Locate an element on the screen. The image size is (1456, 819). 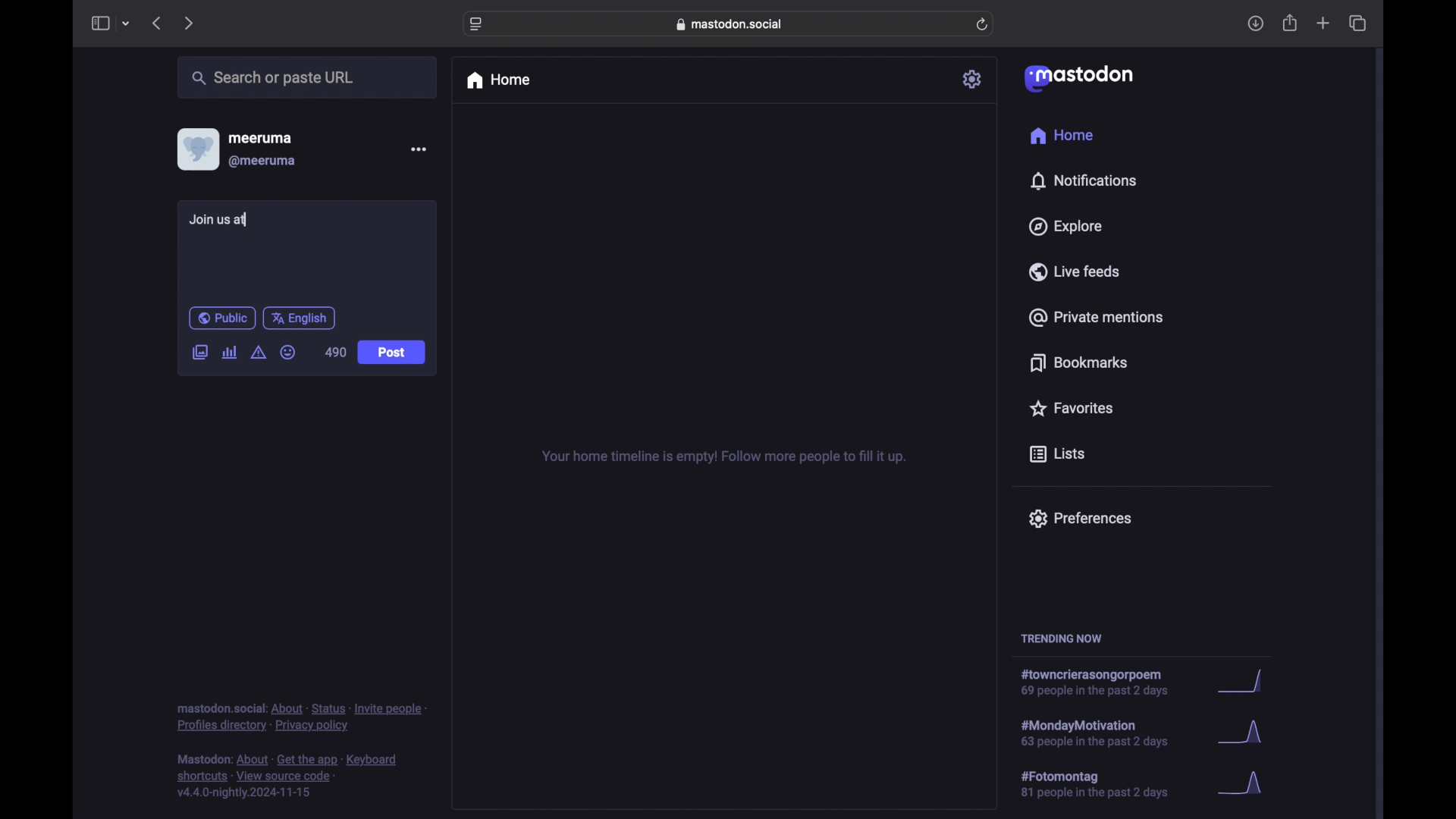
graph is located at coordinates (1253, 789).